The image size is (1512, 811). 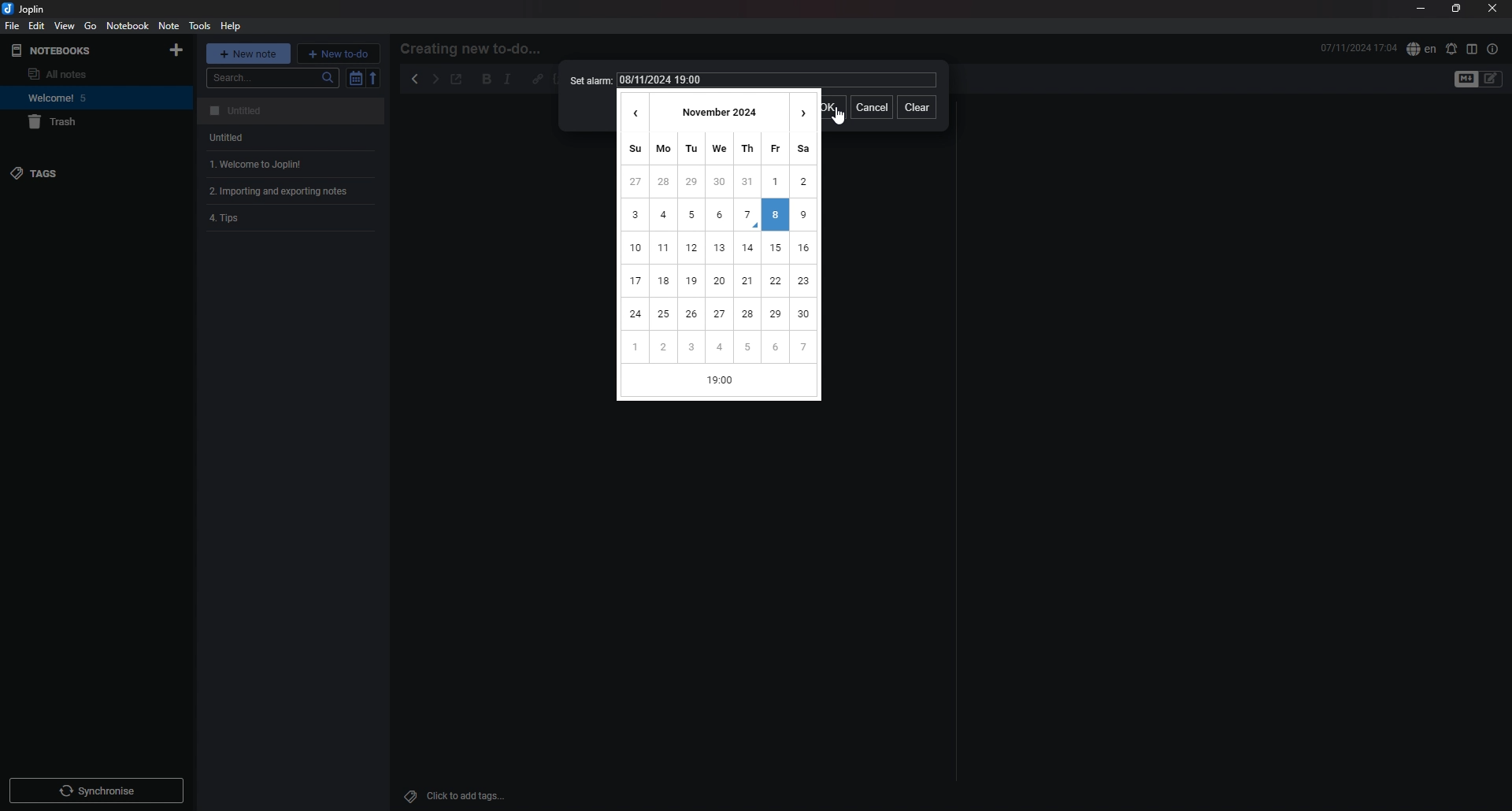 I want to click on italic, so click(x=508, y=80).